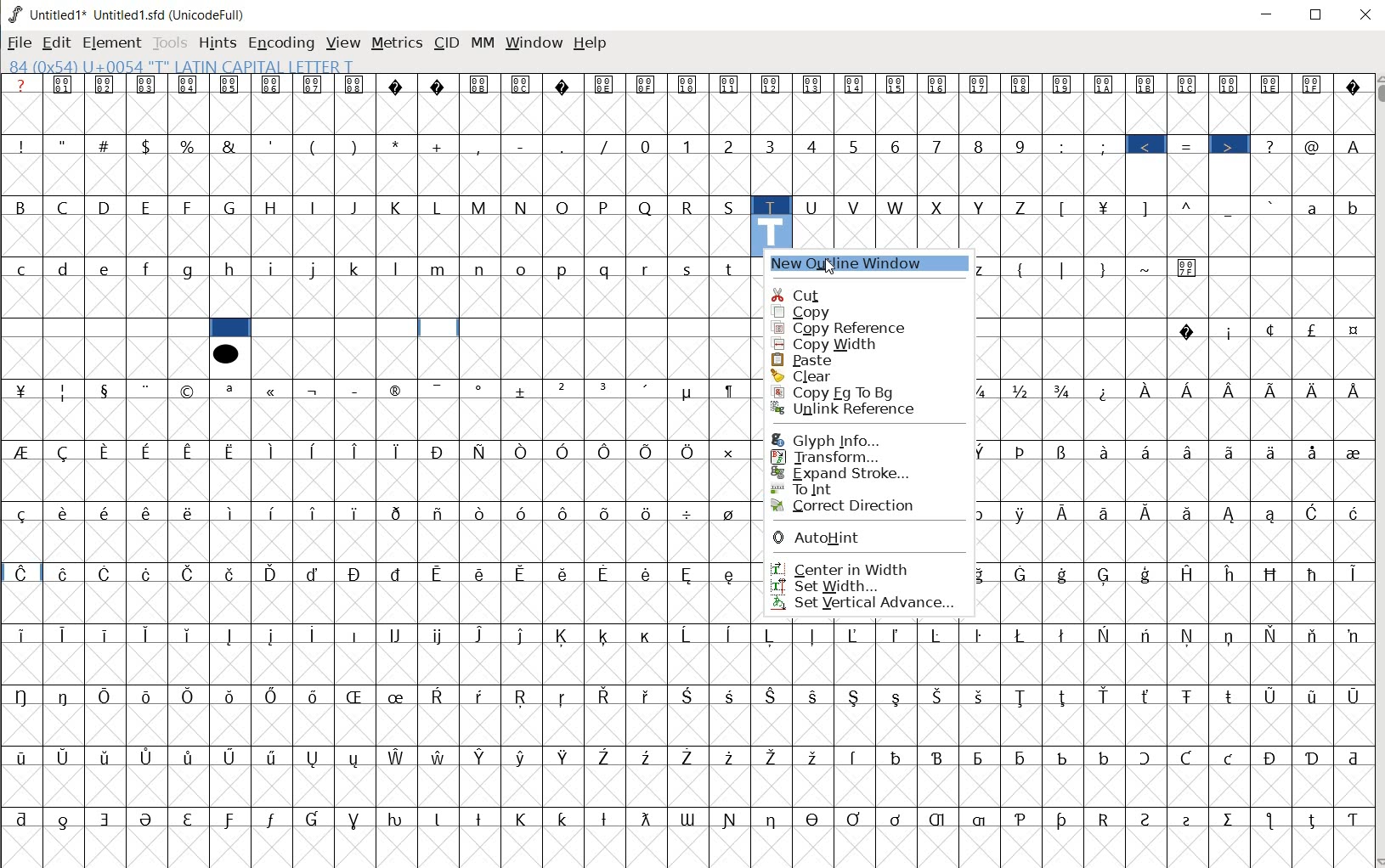 Image resolution: width=1385 pixels, height=868 pixels. What do you see at coordinates (439, 512) in the screenshot?
I see `Symbol` at bounding box center [439, 512].